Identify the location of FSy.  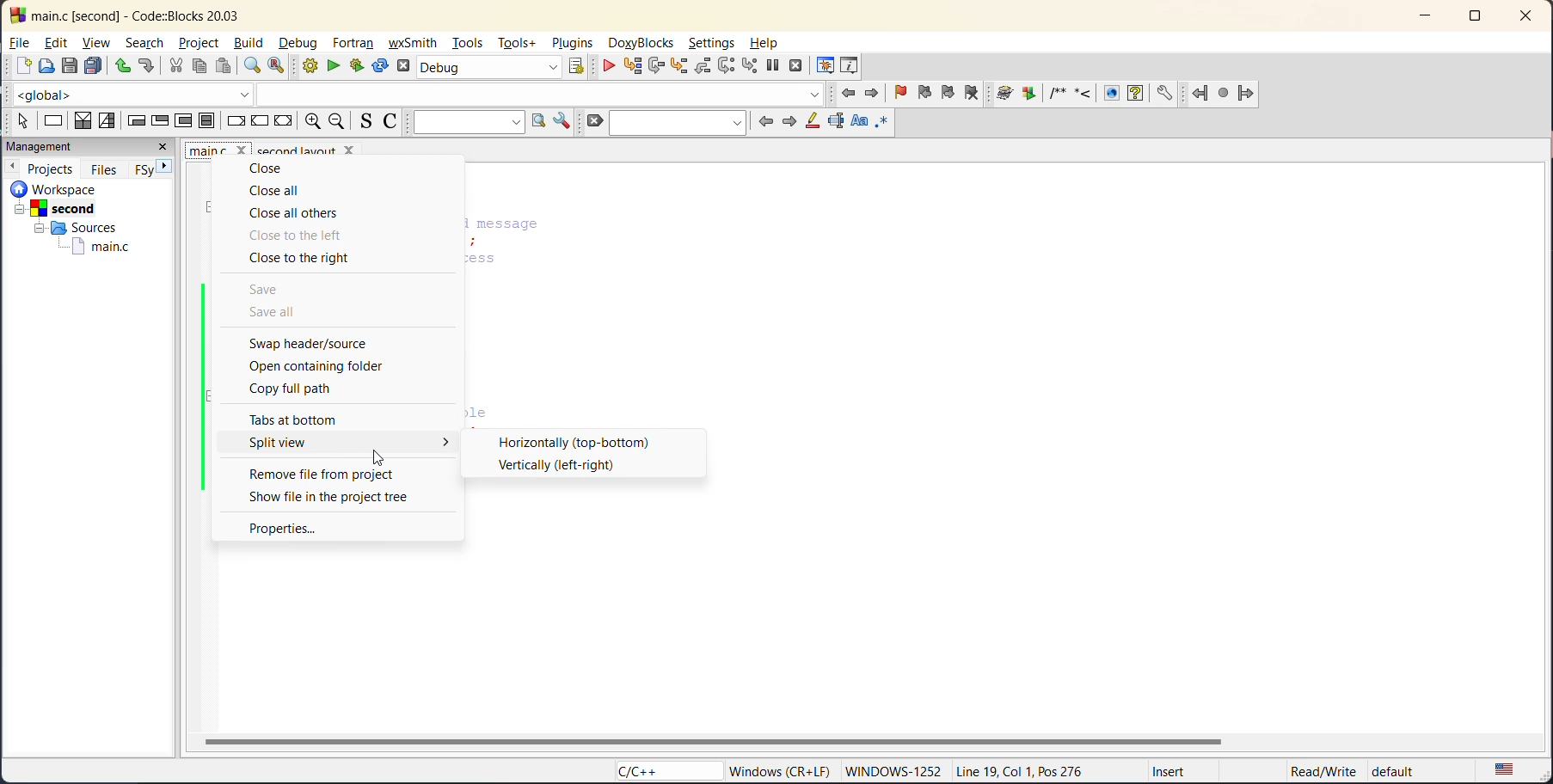
(141, 169).